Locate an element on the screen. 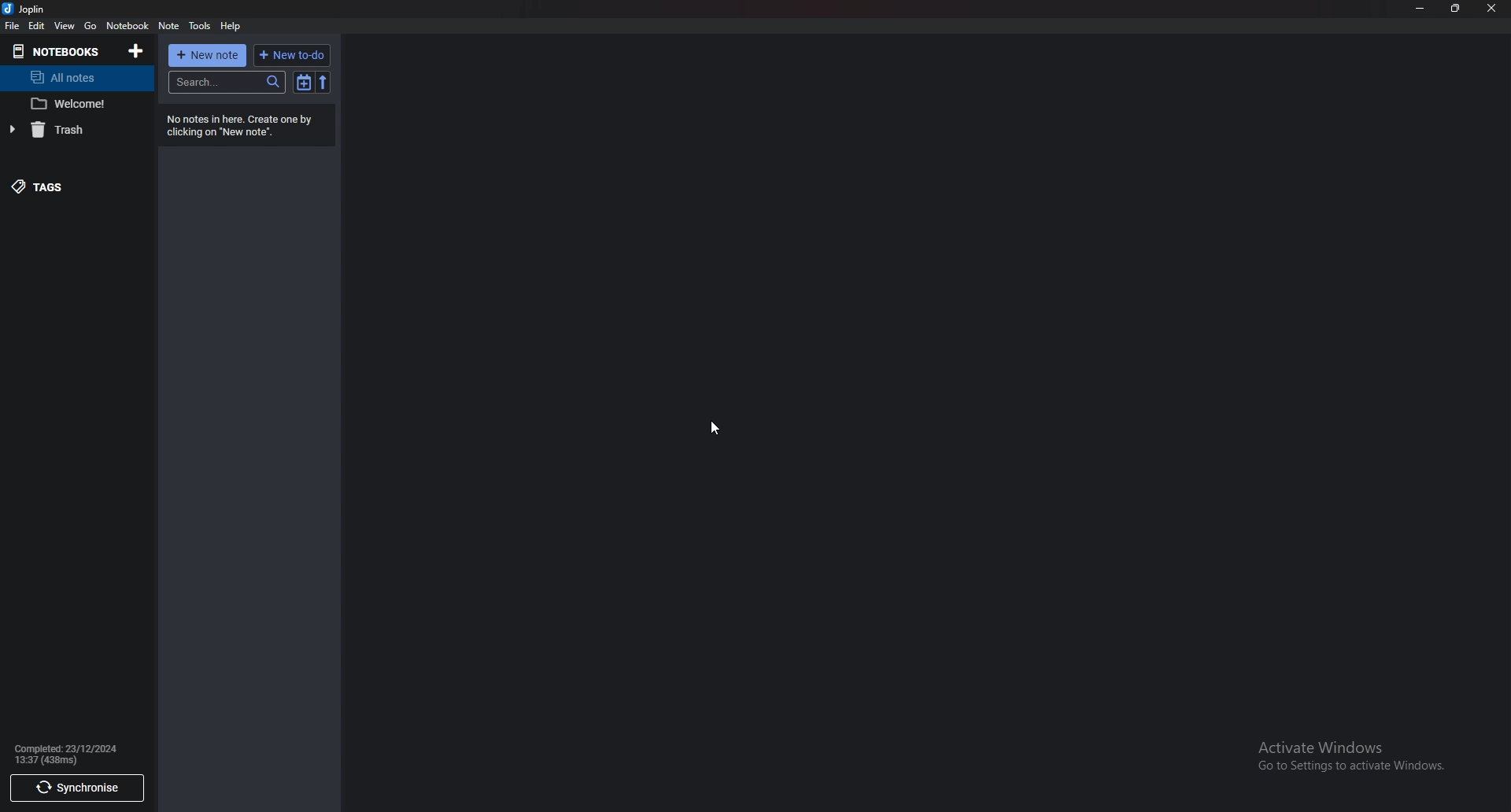 This screenshot has width=1511, height=812. Notebooks is located at coordinates (56, 51).